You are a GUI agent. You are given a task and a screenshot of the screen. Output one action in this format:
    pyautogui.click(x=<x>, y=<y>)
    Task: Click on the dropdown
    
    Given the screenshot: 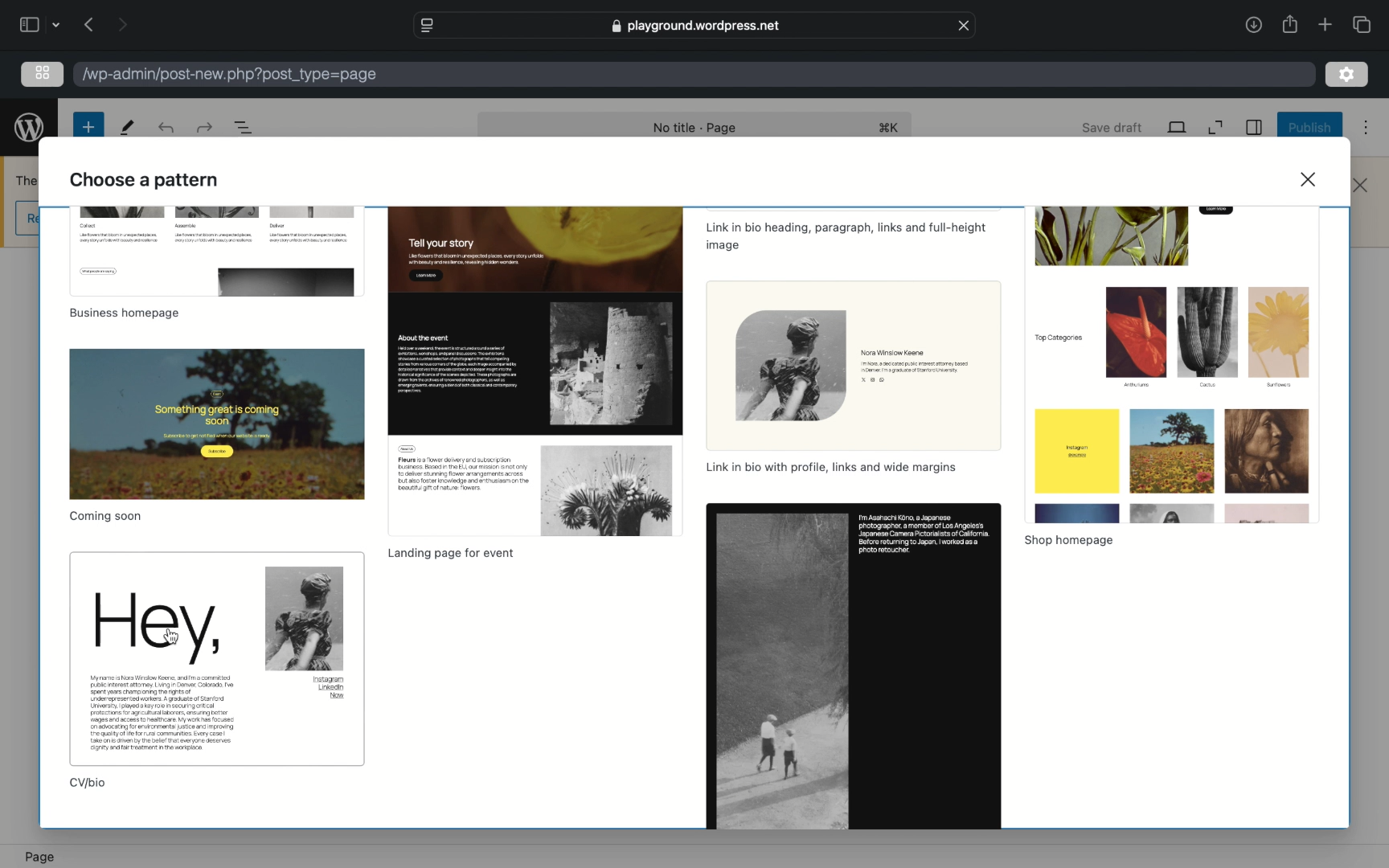 What is the action you would take?
    pyautogui.click(x=56, y=24)
    